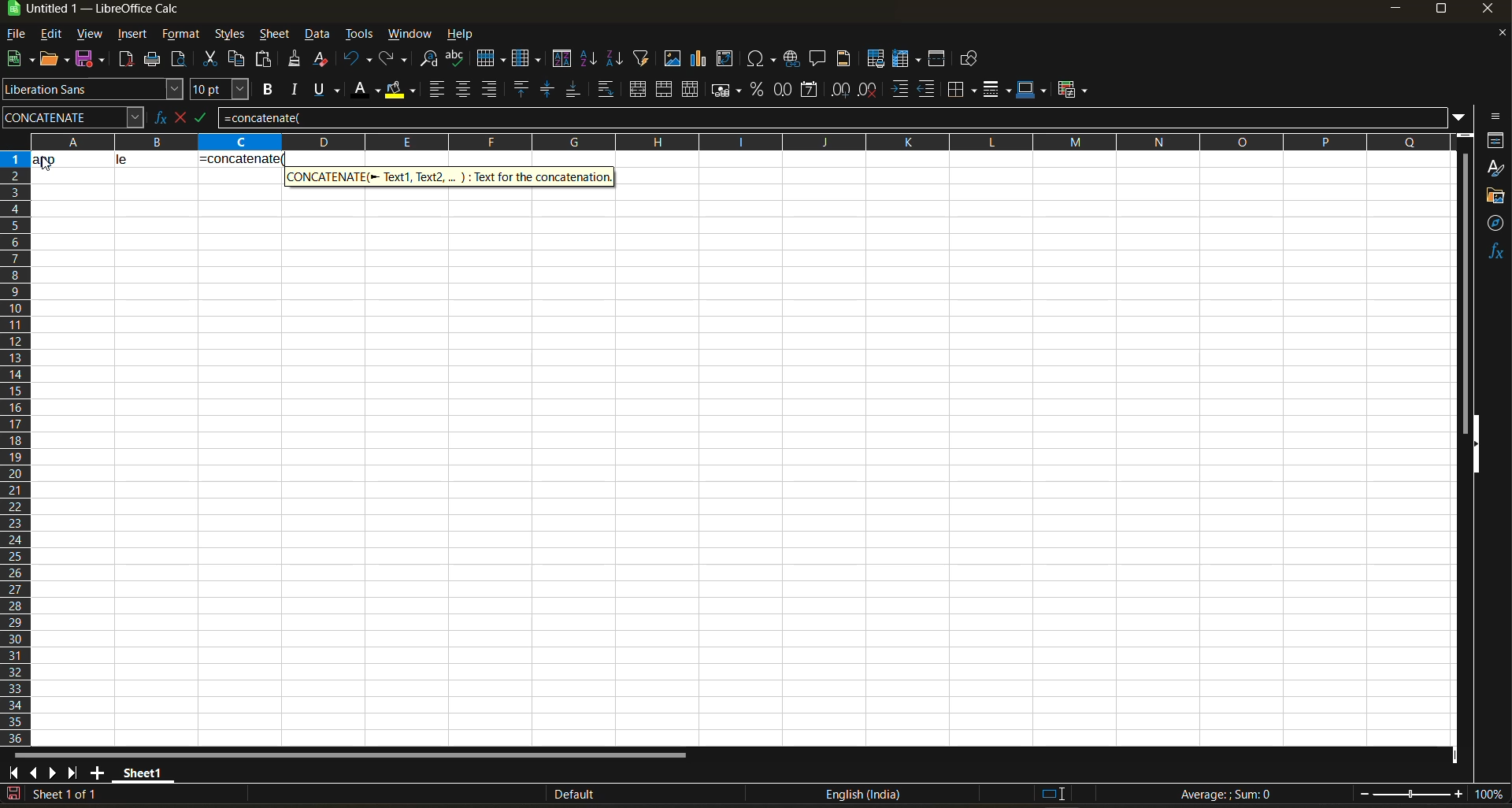 Image resolution: width=1512 pixels, height=808 pixels. What do you see at coordinates (51, 32) in the screenshot?
I see `edit` at bounding box center [51, 32].